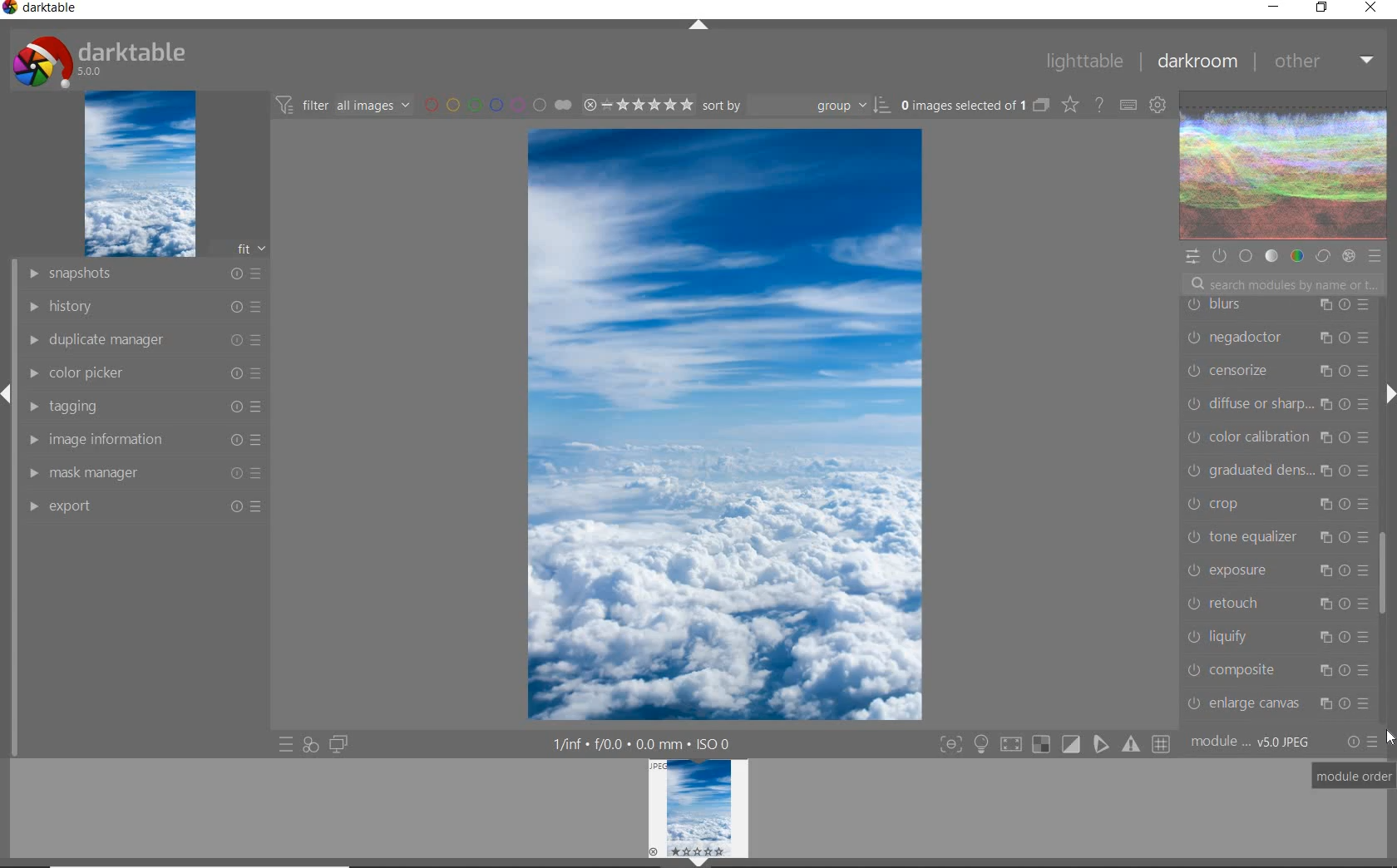  I want to click on MASK MANAGER, so click(147, 472).